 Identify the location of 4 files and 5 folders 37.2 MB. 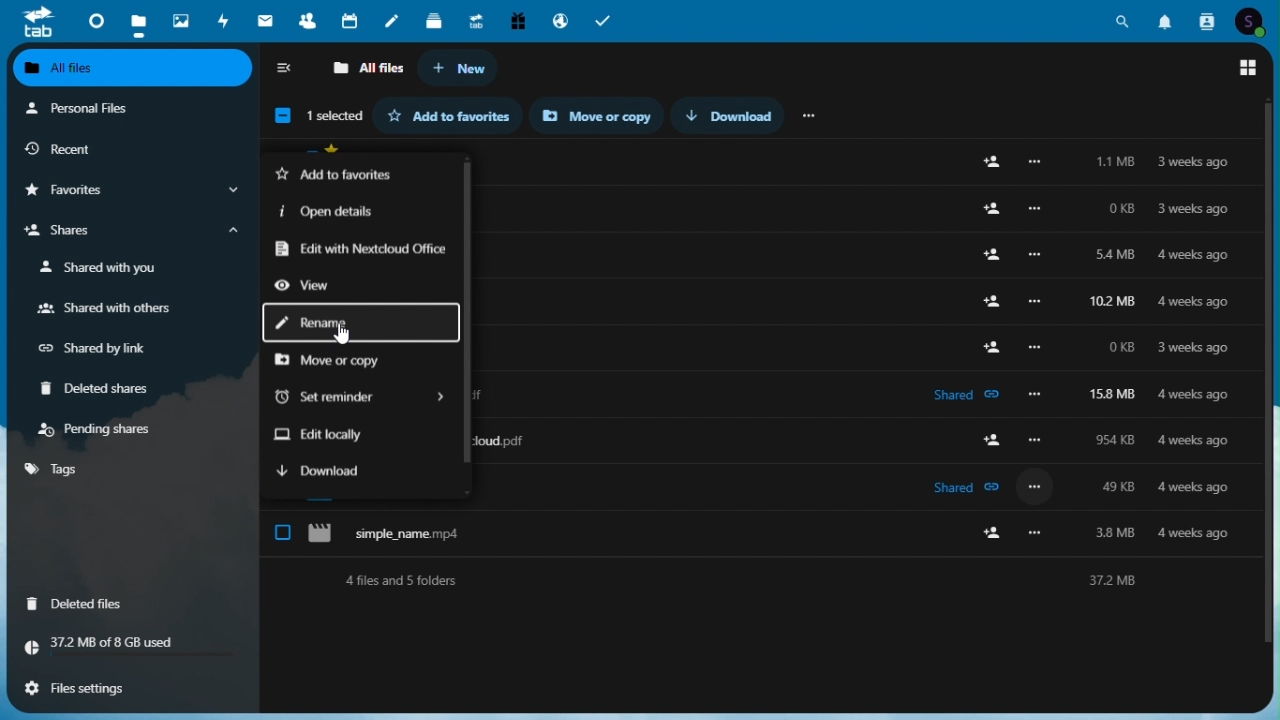
(760, 582).